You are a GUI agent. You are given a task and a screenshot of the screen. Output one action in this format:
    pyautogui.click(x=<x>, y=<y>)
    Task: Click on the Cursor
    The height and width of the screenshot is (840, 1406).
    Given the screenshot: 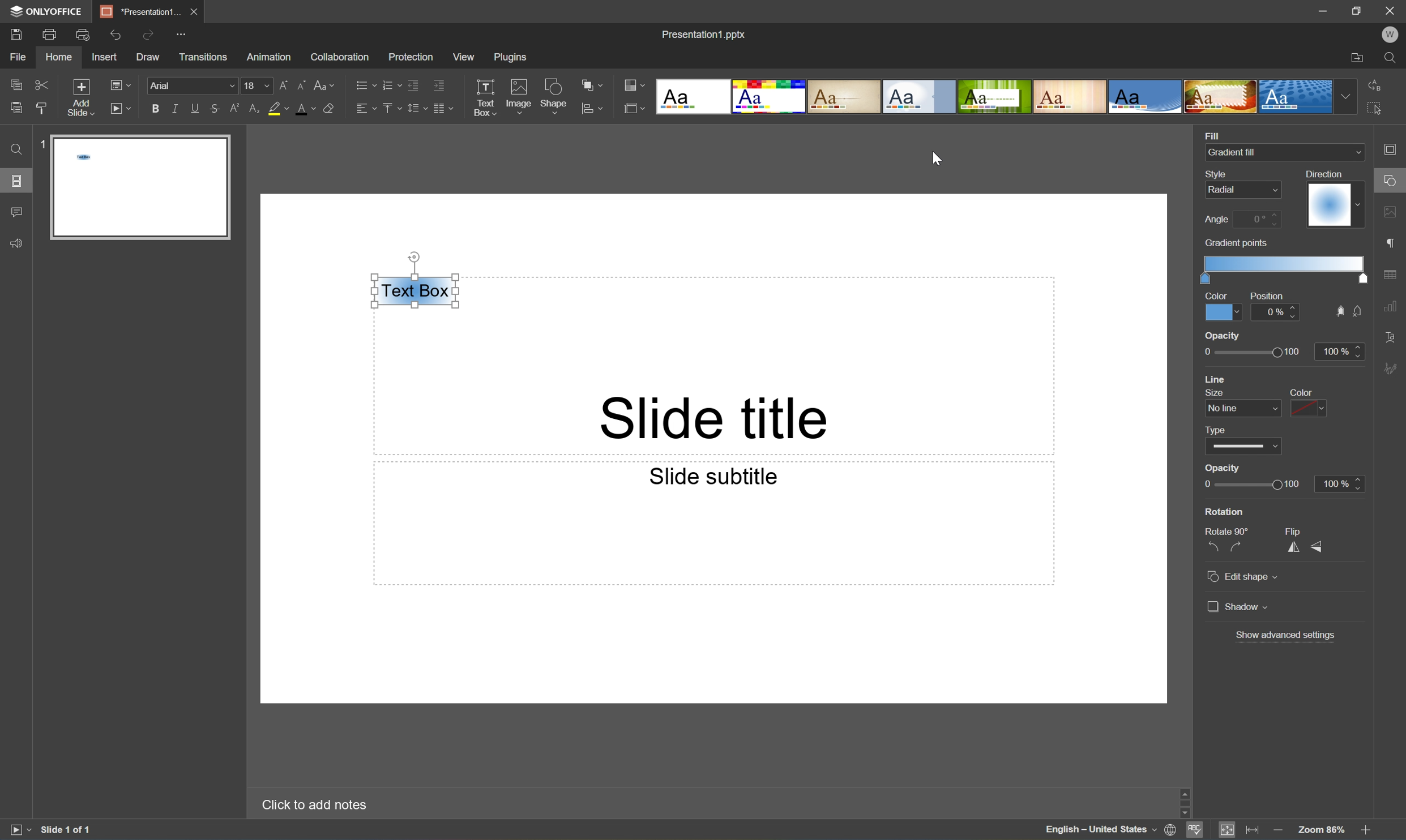 What is the action you would take?
    pyautogui.click(x=933, y=158)
    